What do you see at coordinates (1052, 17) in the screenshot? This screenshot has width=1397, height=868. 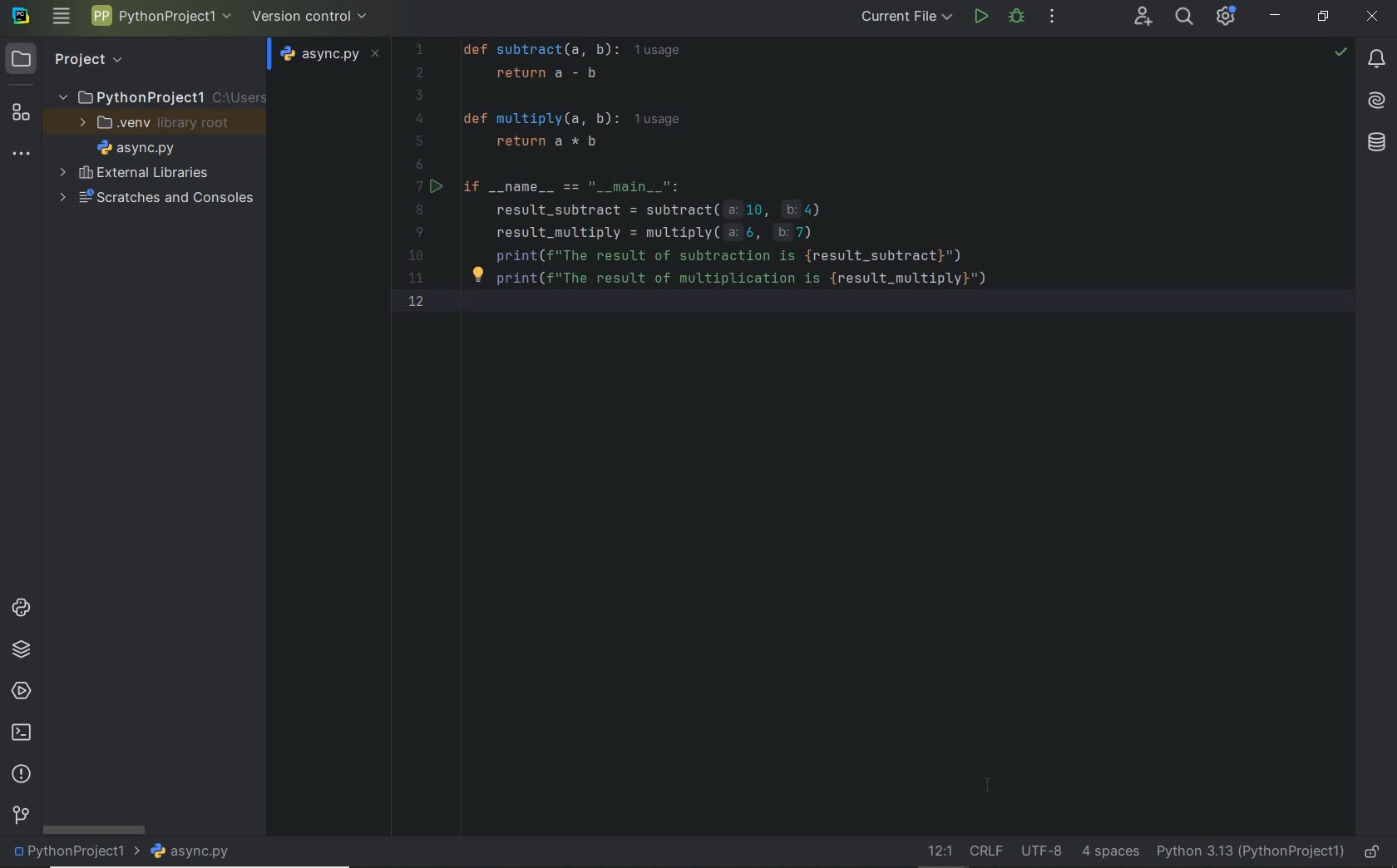 I see `more actions` at bounding box center [1052, 17].